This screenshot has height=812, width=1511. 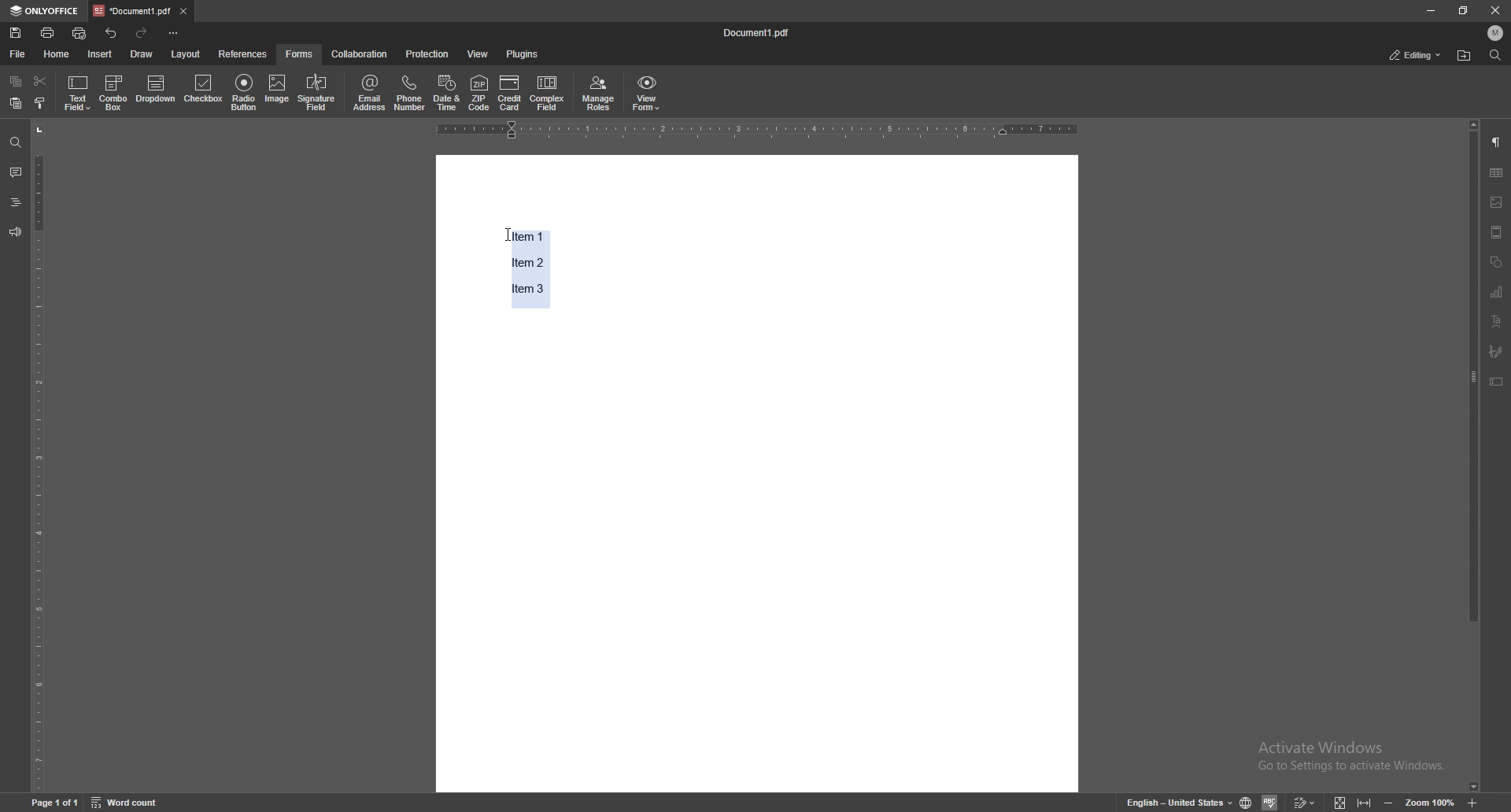 I want to click on paste, so click(x=15, y=103).